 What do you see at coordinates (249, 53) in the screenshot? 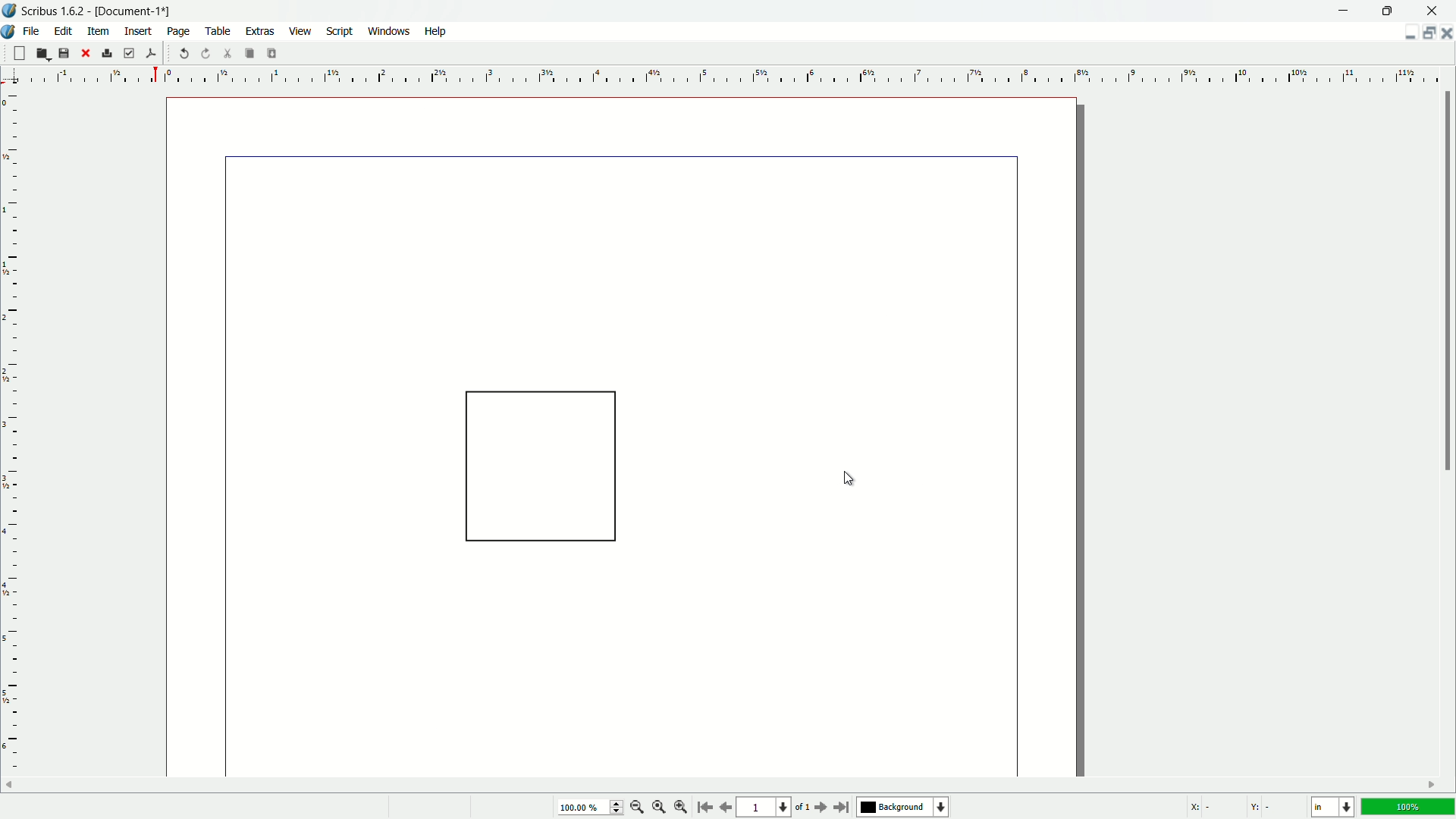
I see `copy` at bounding box center [249, 53].